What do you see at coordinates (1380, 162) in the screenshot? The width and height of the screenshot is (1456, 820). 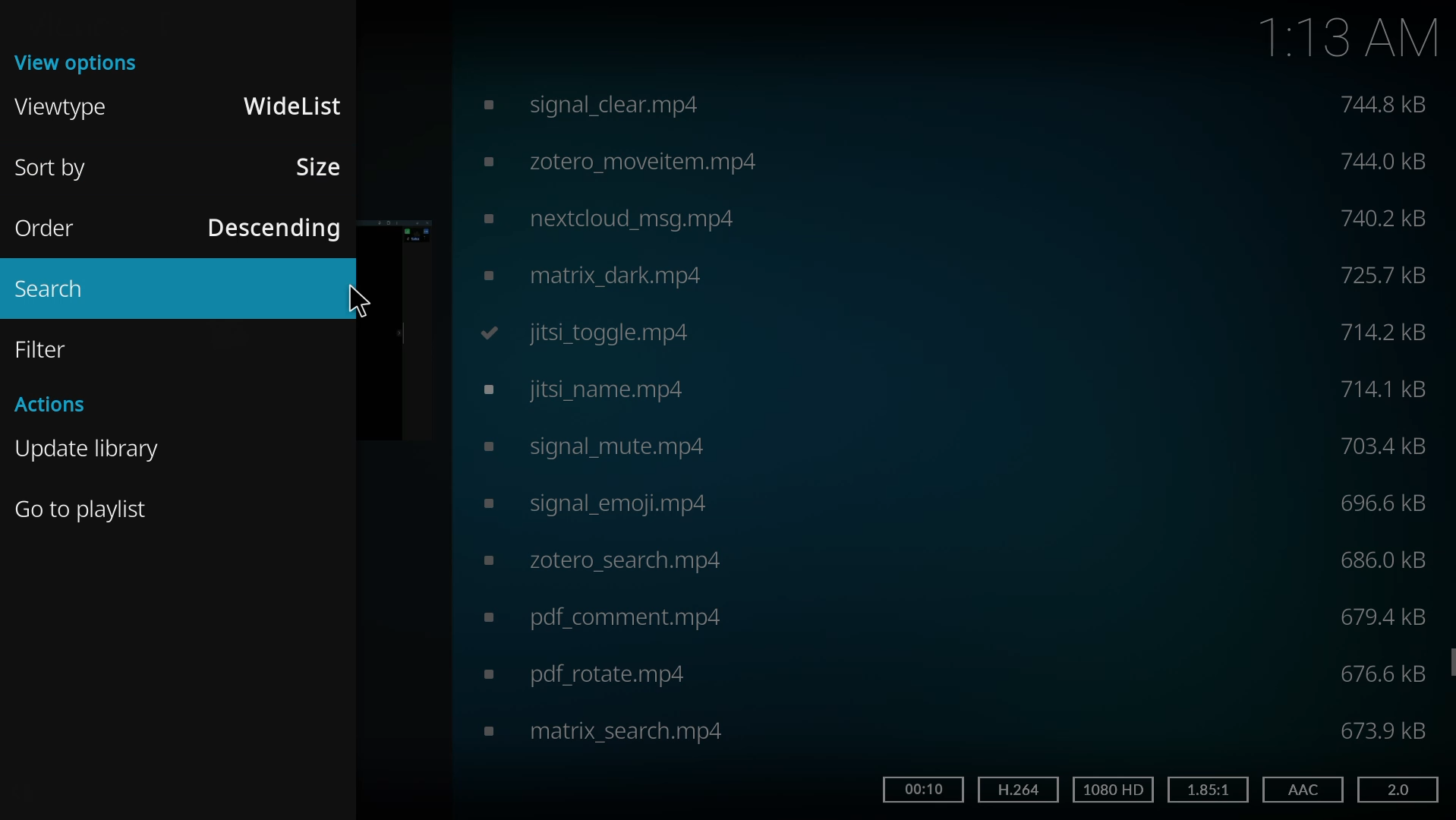 I see `size` at bounding box center [1380, 162].